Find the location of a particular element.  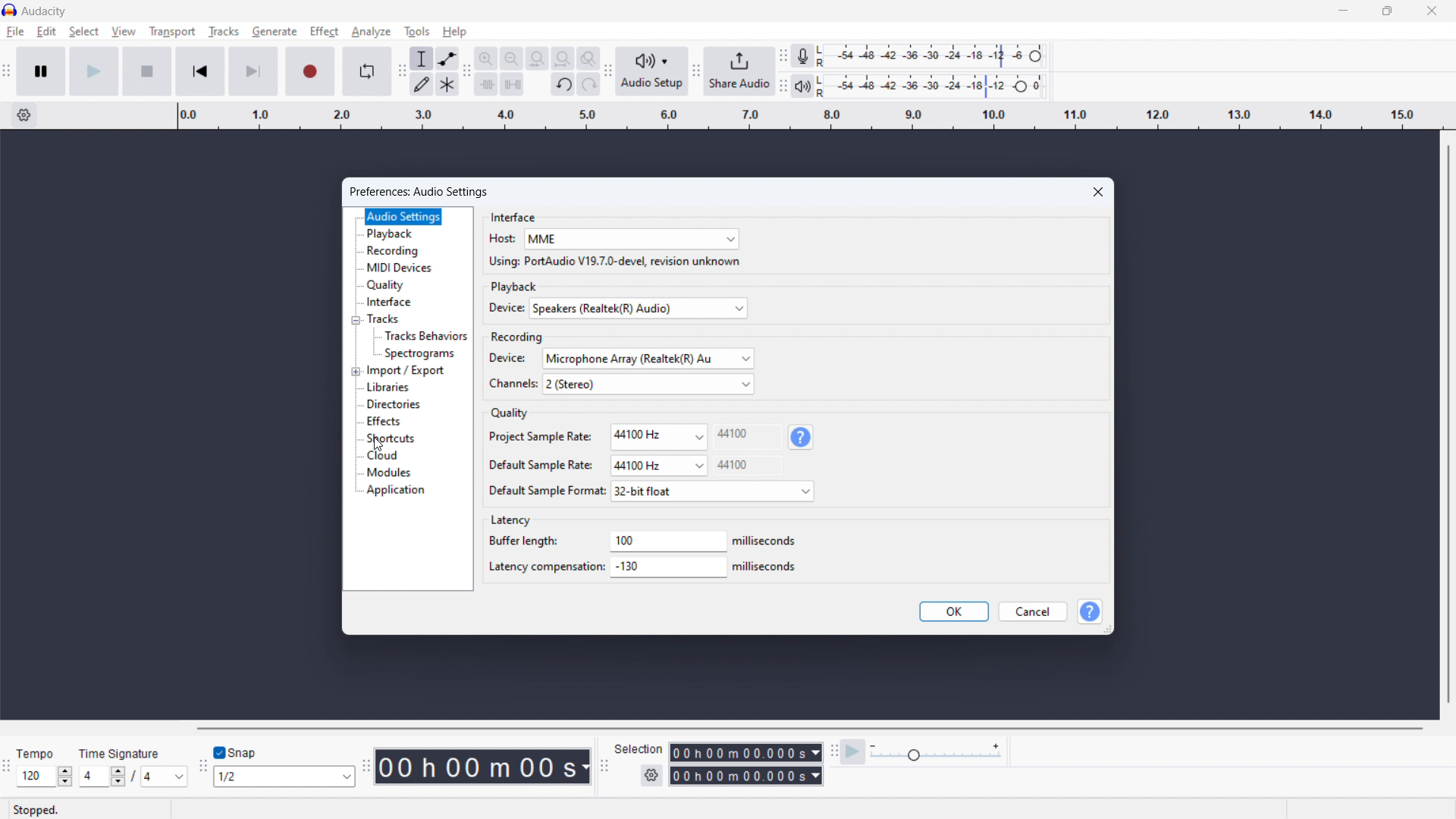

minimize is located at coordinates (1341, 11).